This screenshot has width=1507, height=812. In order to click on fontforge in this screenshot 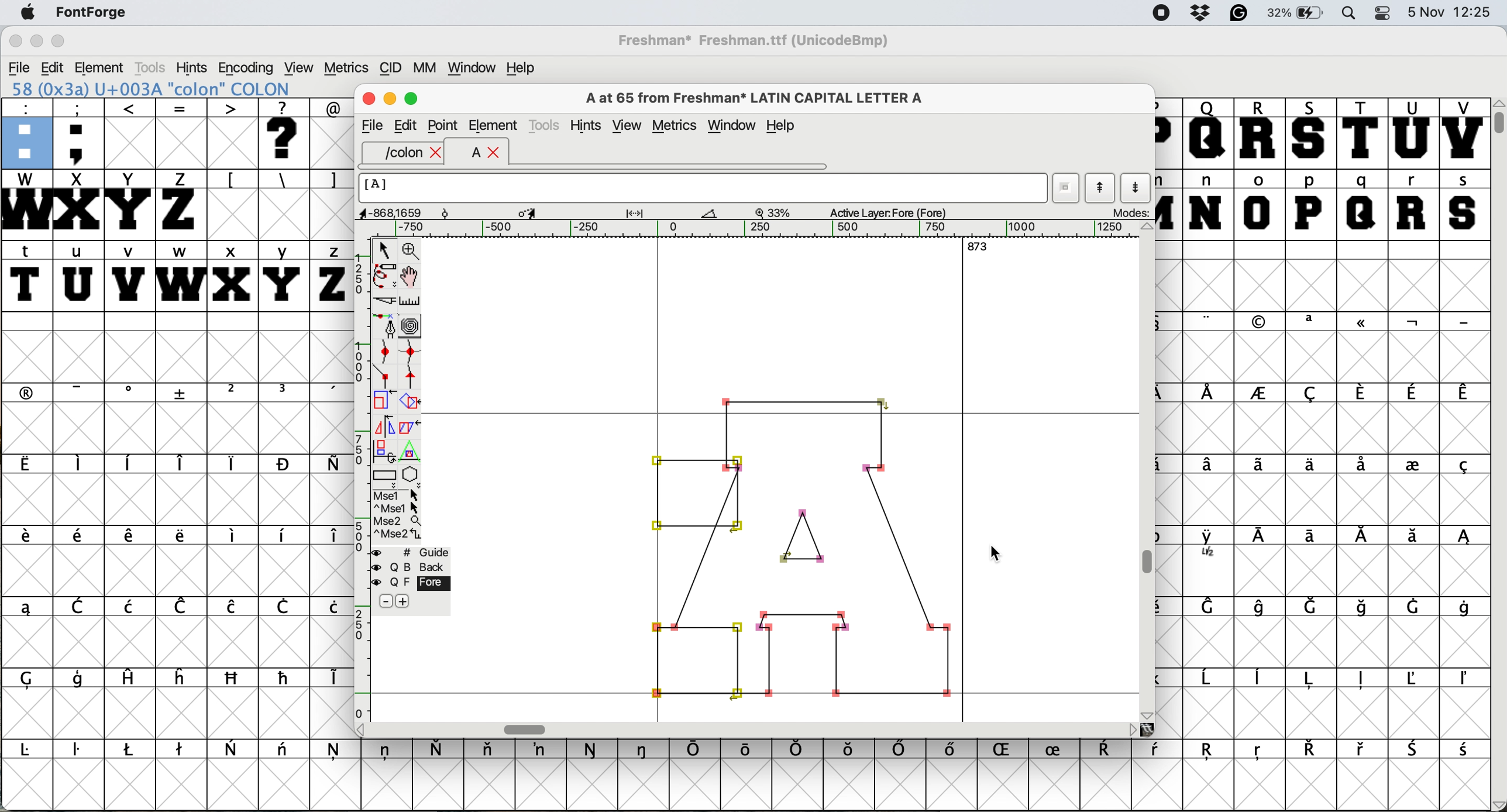, I will do `click(88, 13)`.